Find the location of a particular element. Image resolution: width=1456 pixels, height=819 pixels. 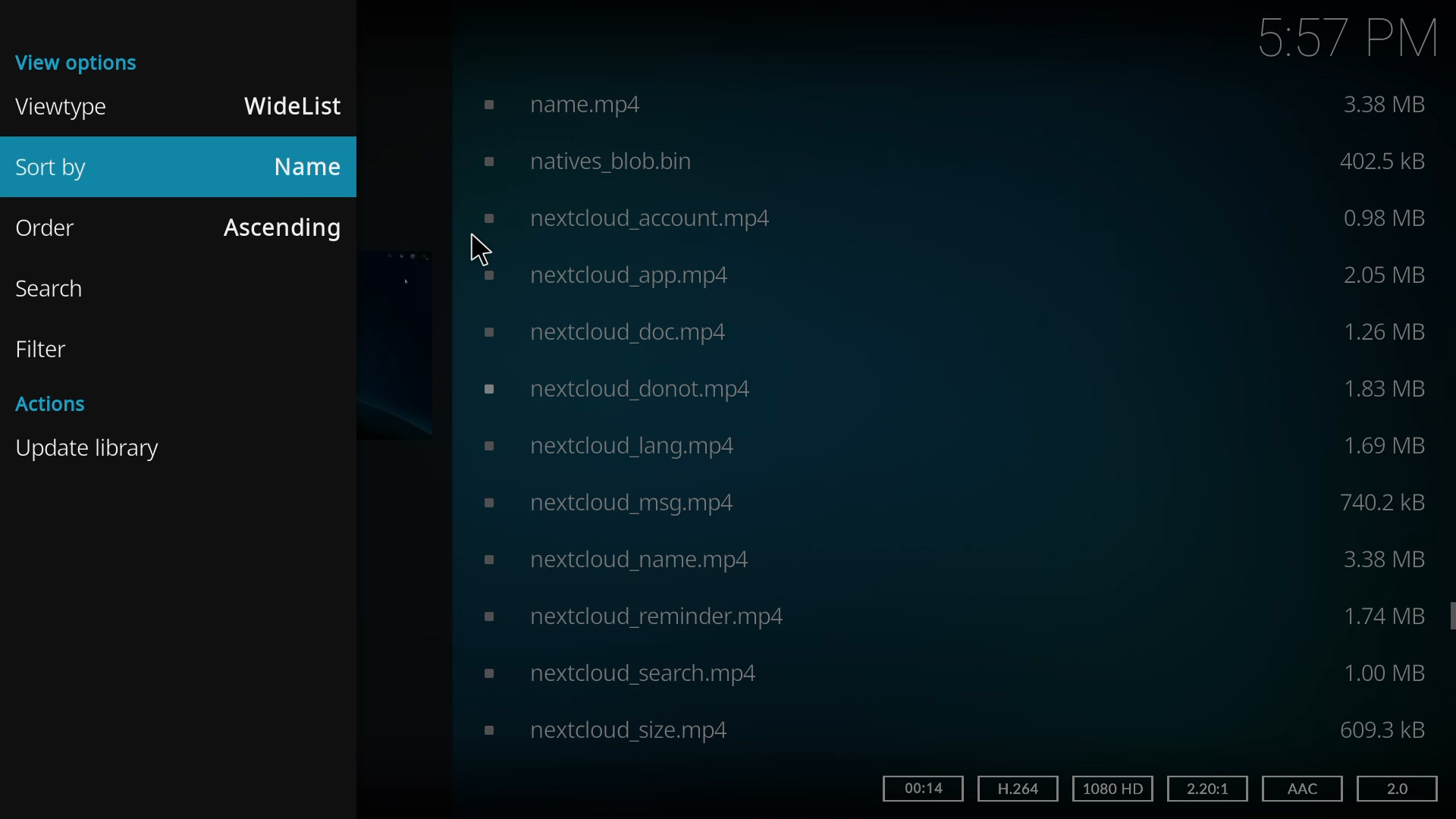

sort by is located at coordinates (66, 170).